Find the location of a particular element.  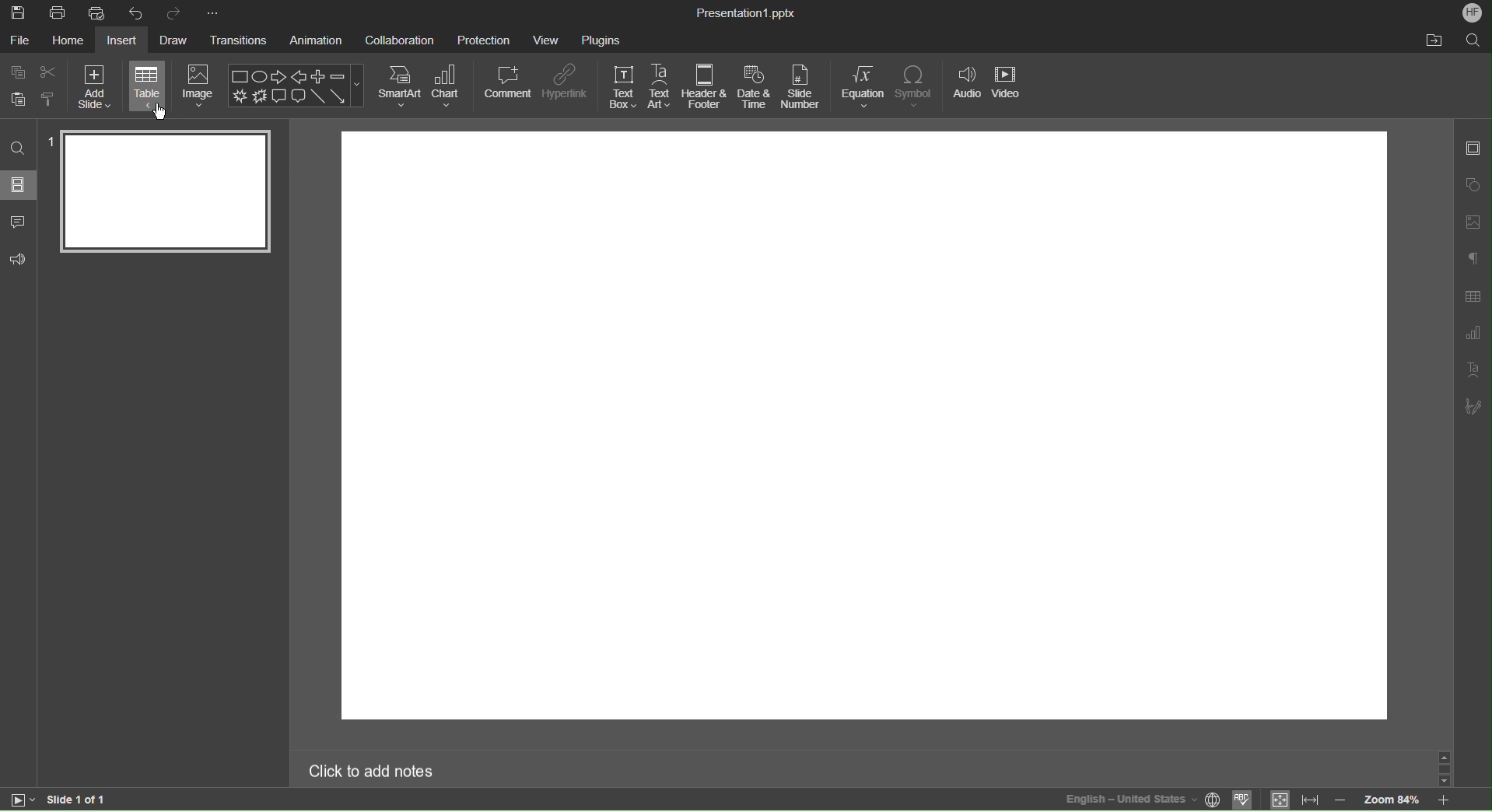

English - United States is located at coordinates (1130, 799).